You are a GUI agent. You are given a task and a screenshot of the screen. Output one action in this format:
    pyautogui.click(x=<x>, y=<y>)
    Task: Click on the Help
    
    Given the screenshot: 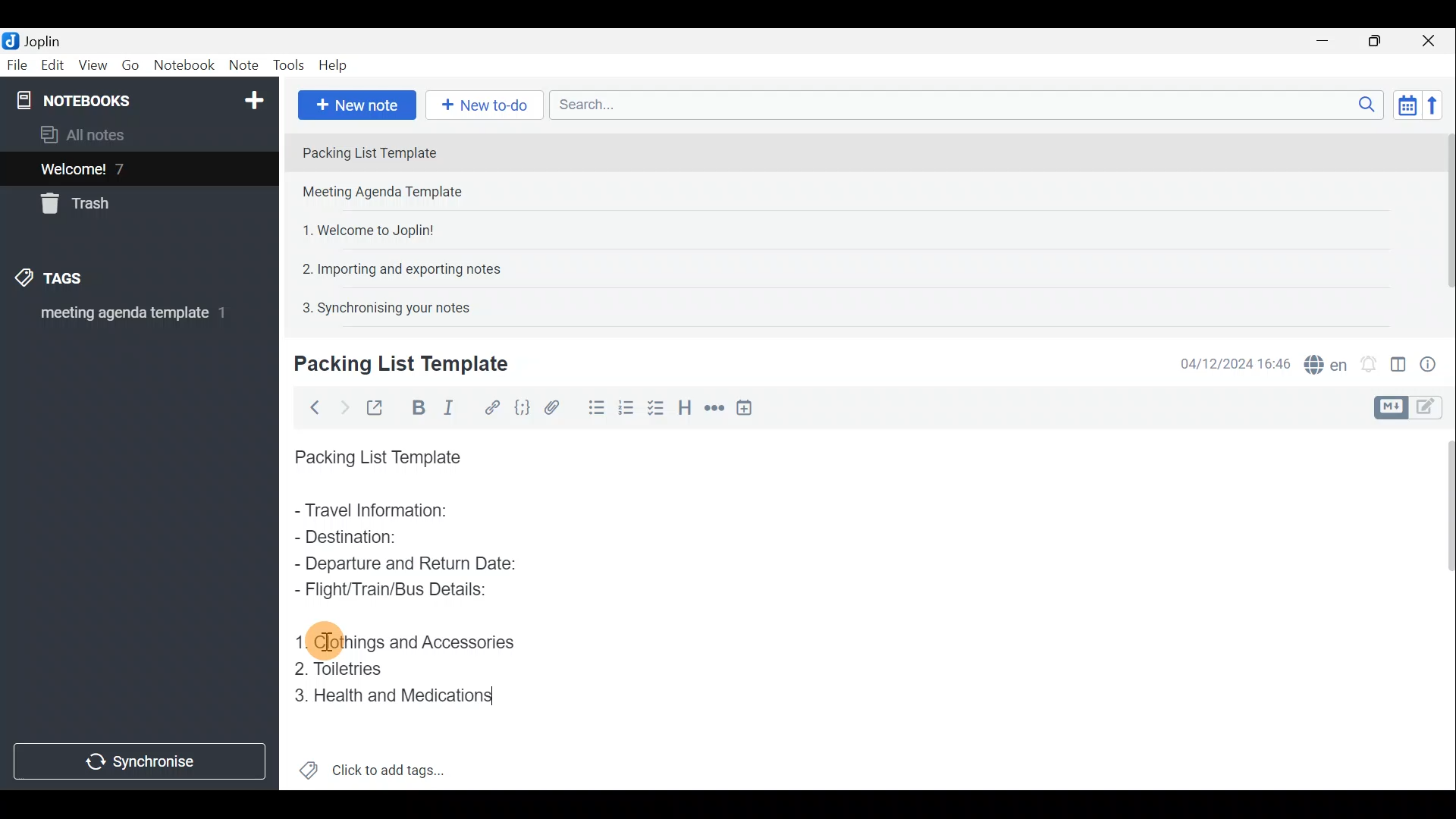 What is the action you would take?
    pyautogui.click(x=335, y=67)
    